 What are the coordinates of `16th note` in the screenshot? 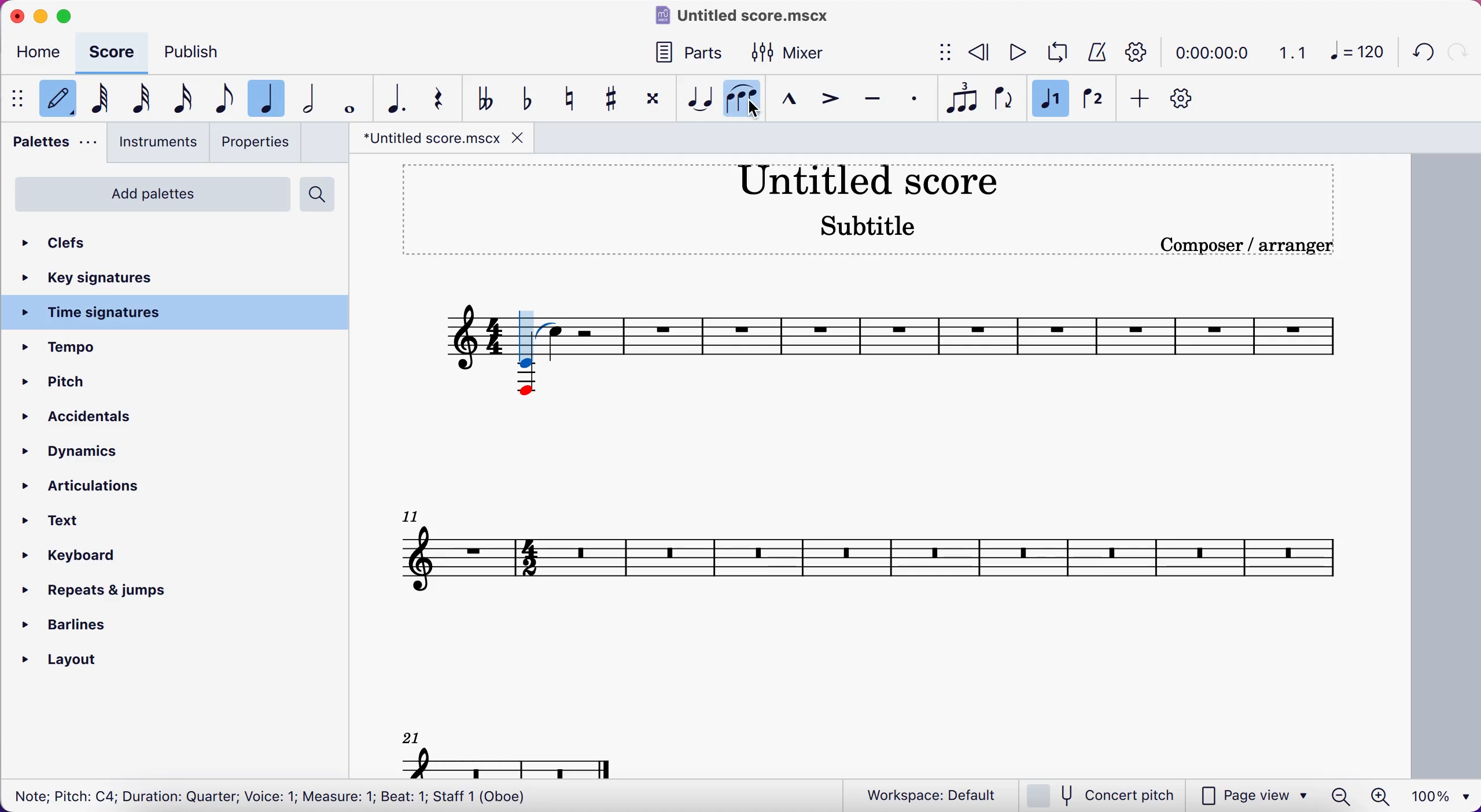 It's located at (190, 99).